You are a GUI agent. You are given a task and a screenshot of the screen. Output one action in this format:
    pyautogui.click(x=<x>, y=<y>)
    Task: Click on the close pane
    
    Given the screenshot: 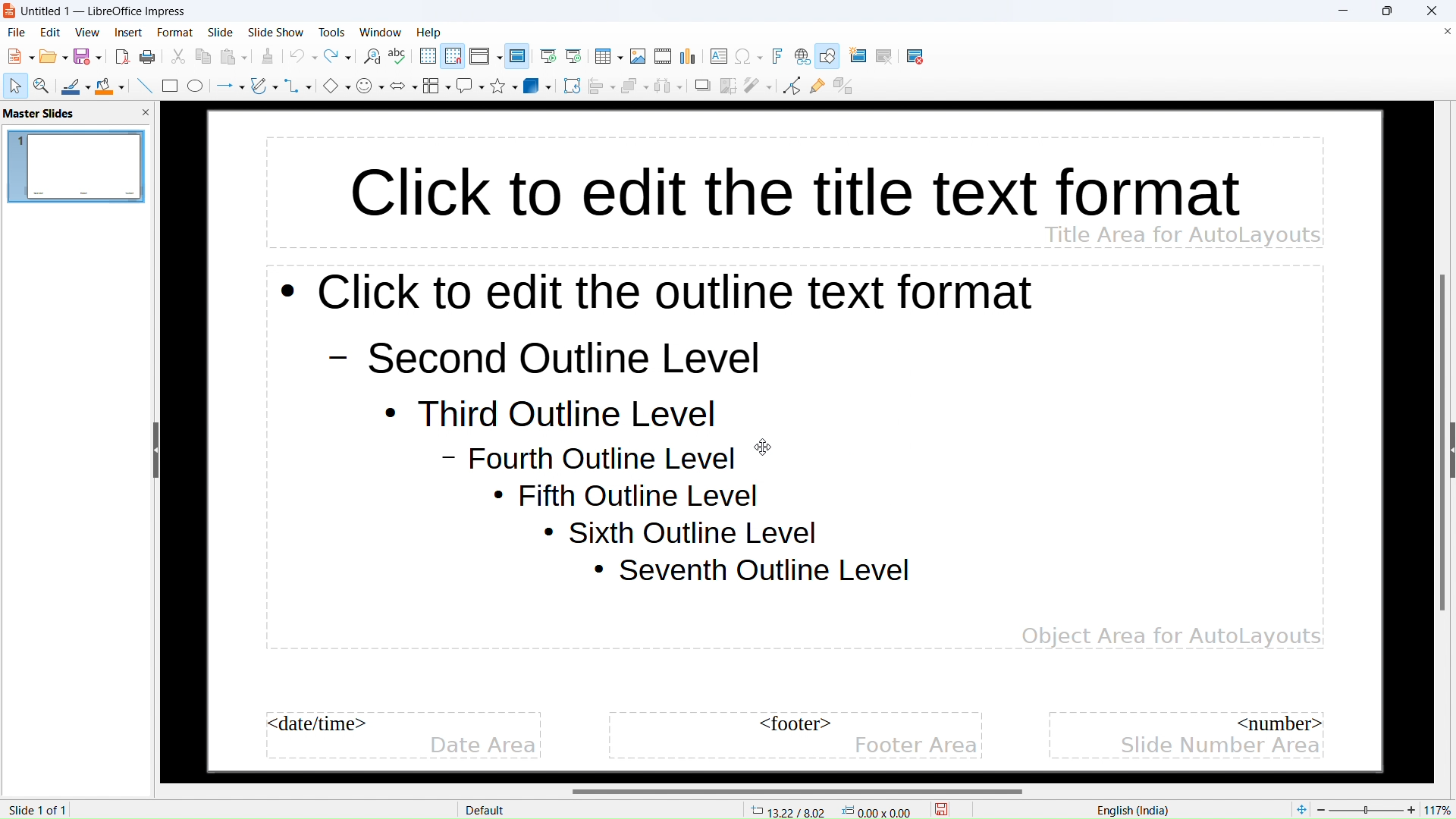 What is the action you would take?
    pyautogui.click(x=145, y=112)
    